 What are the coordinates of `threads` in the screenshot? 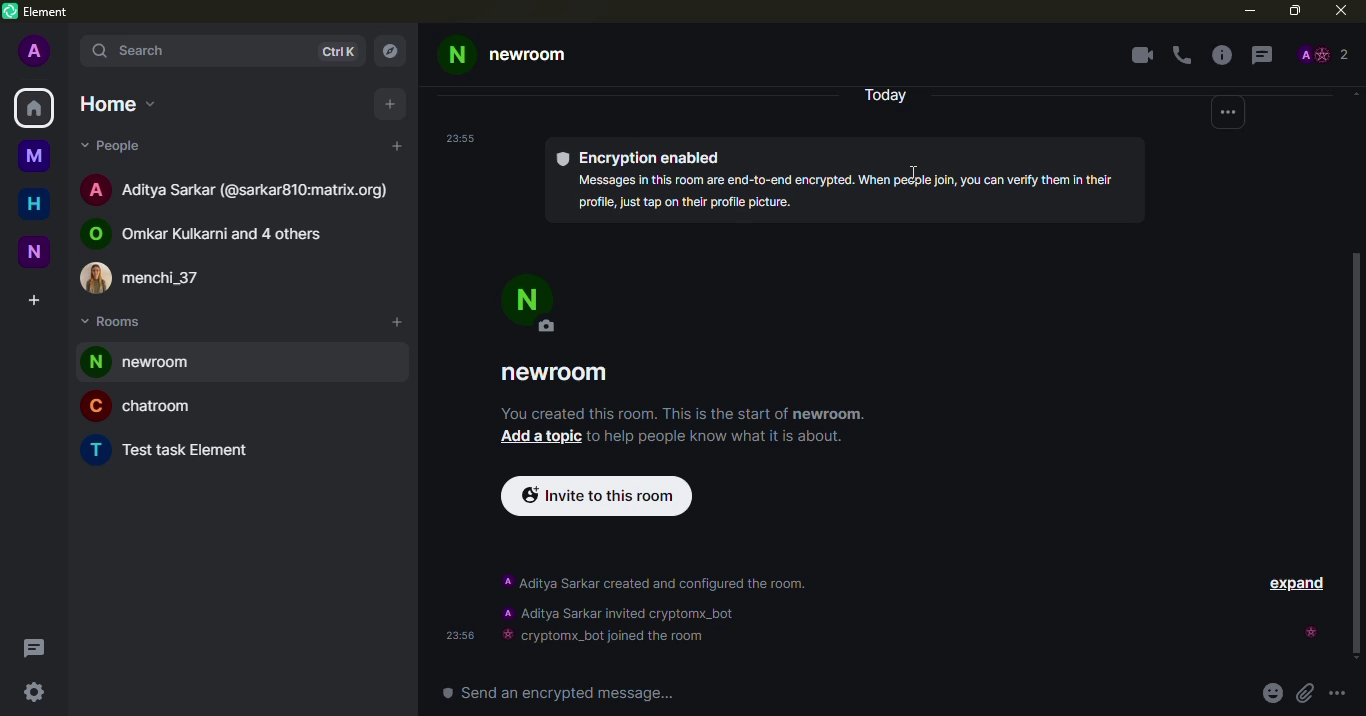 It's located at (1264, 55).